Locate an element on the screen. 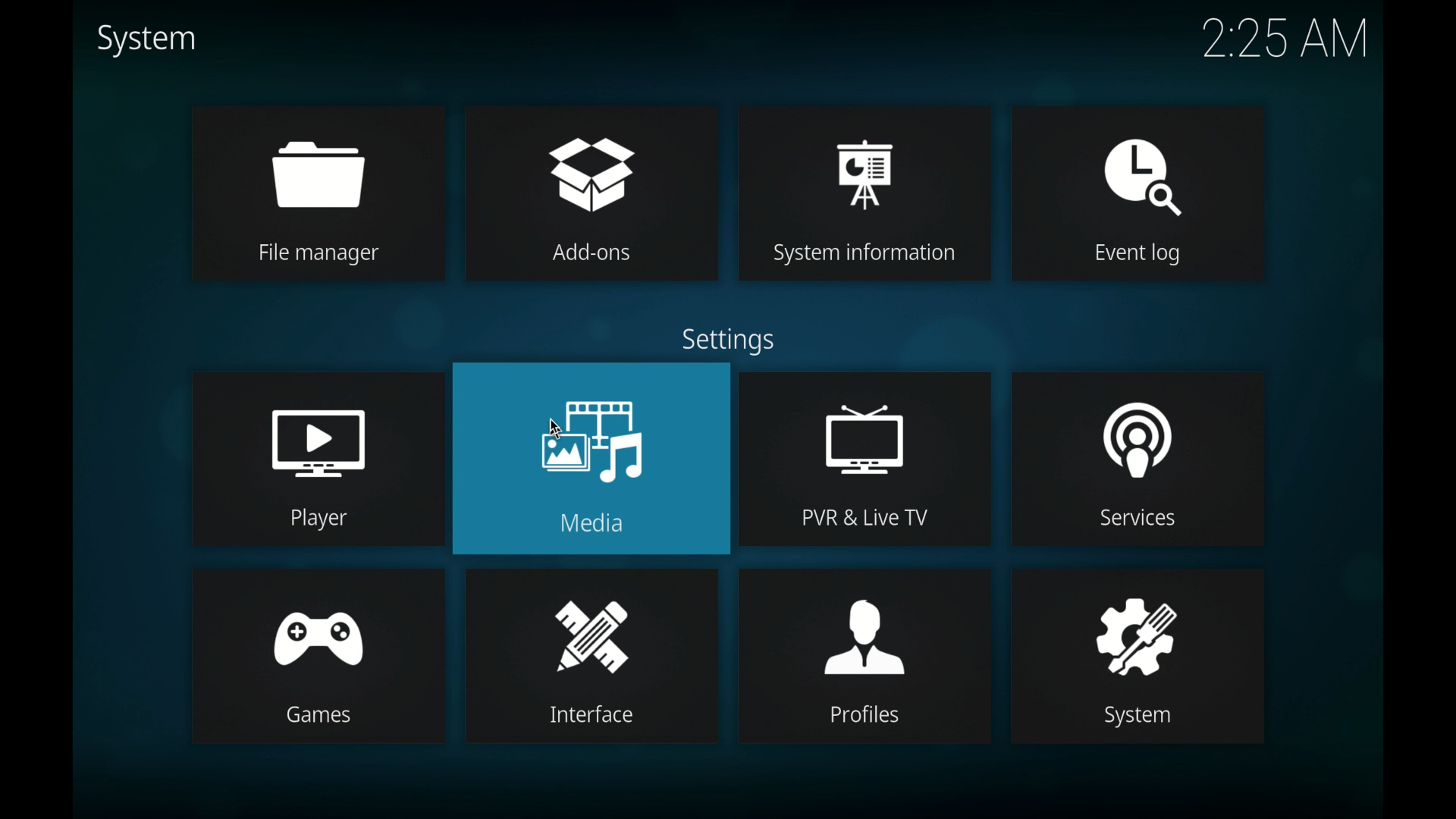 Image resolution: width=1456 pixels, height=819 pixels. System is located at coordinates (1131, 717).